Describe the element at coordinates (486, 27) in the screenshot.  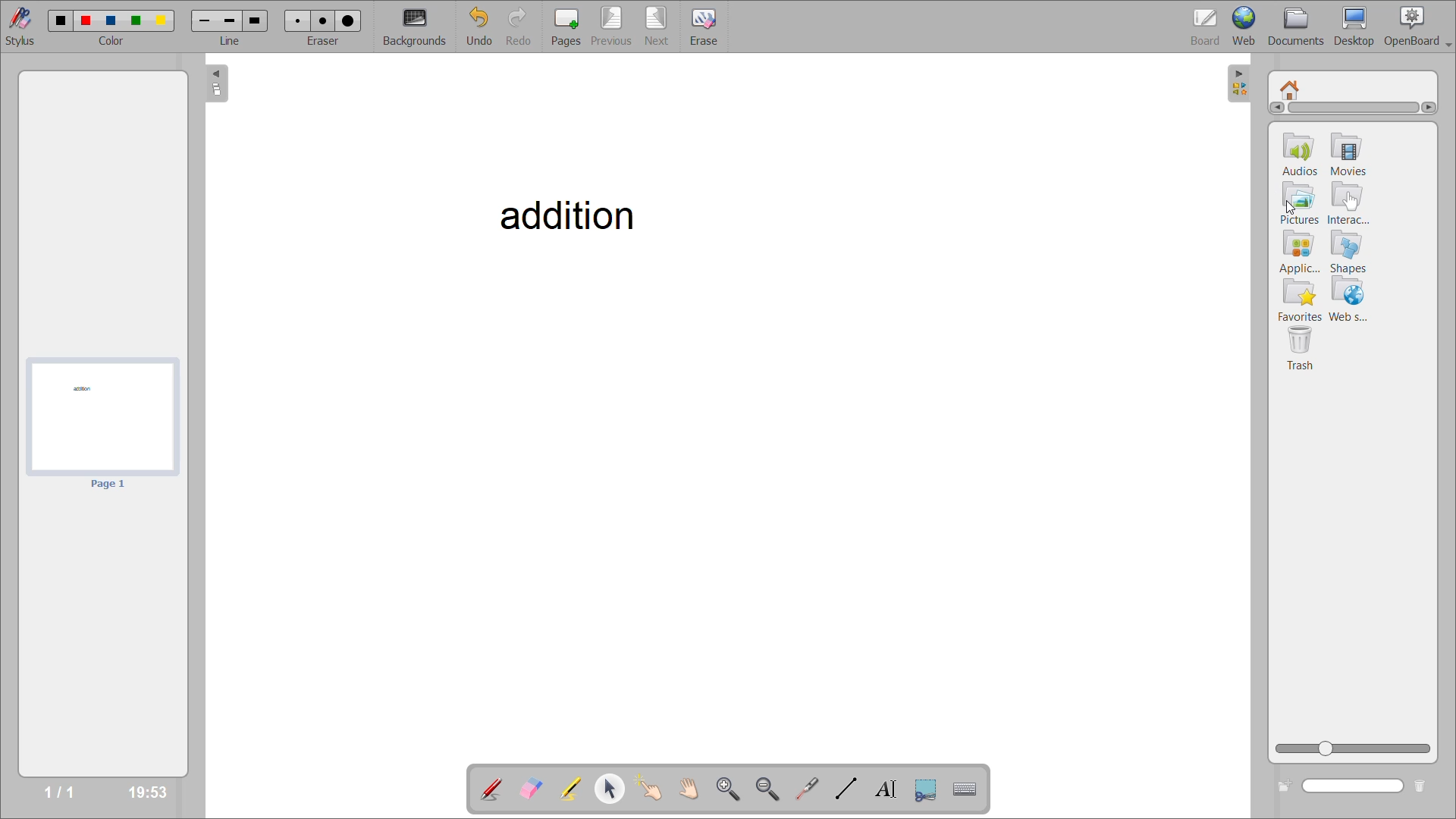
I see `undo` at that location.